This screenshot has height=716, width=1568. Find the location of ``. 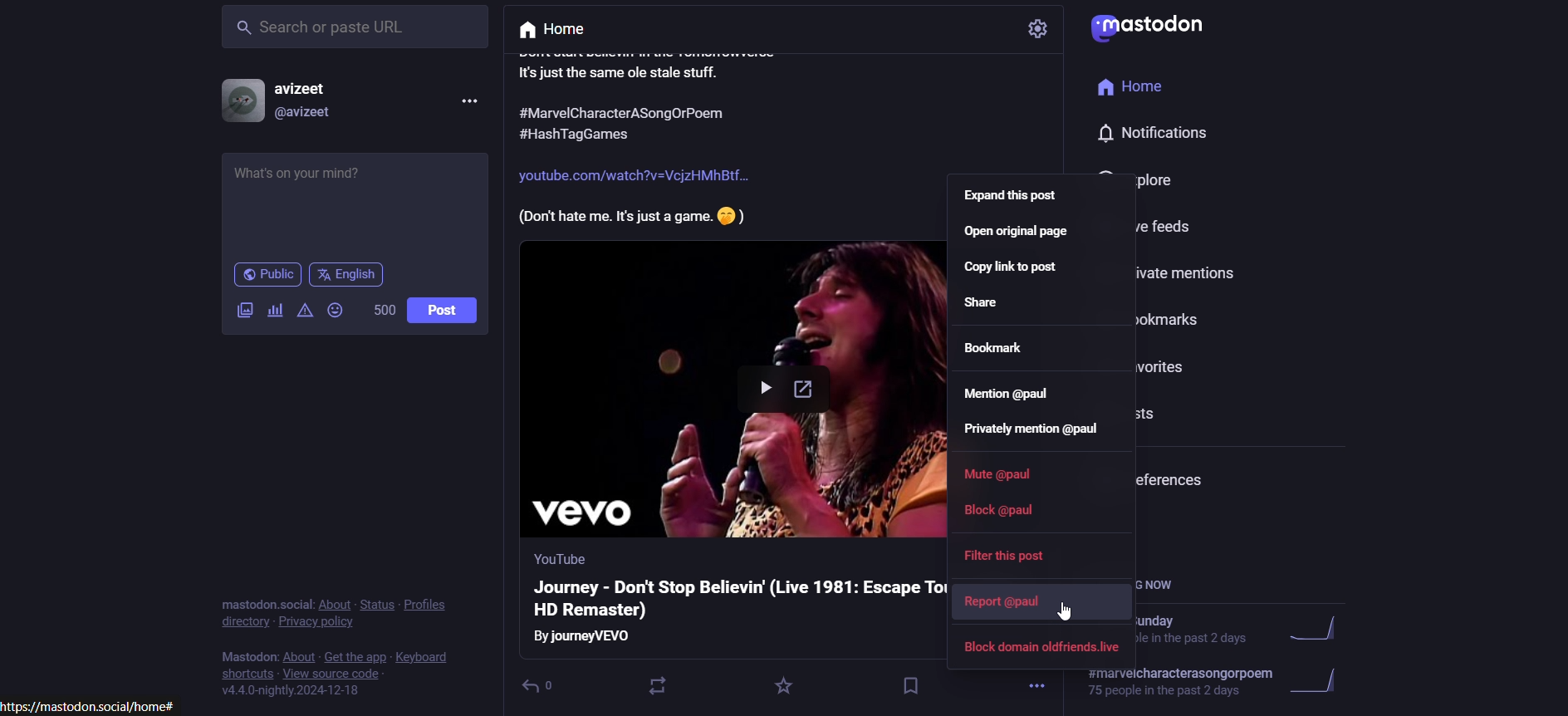

 is located at coordinates (556, 558).